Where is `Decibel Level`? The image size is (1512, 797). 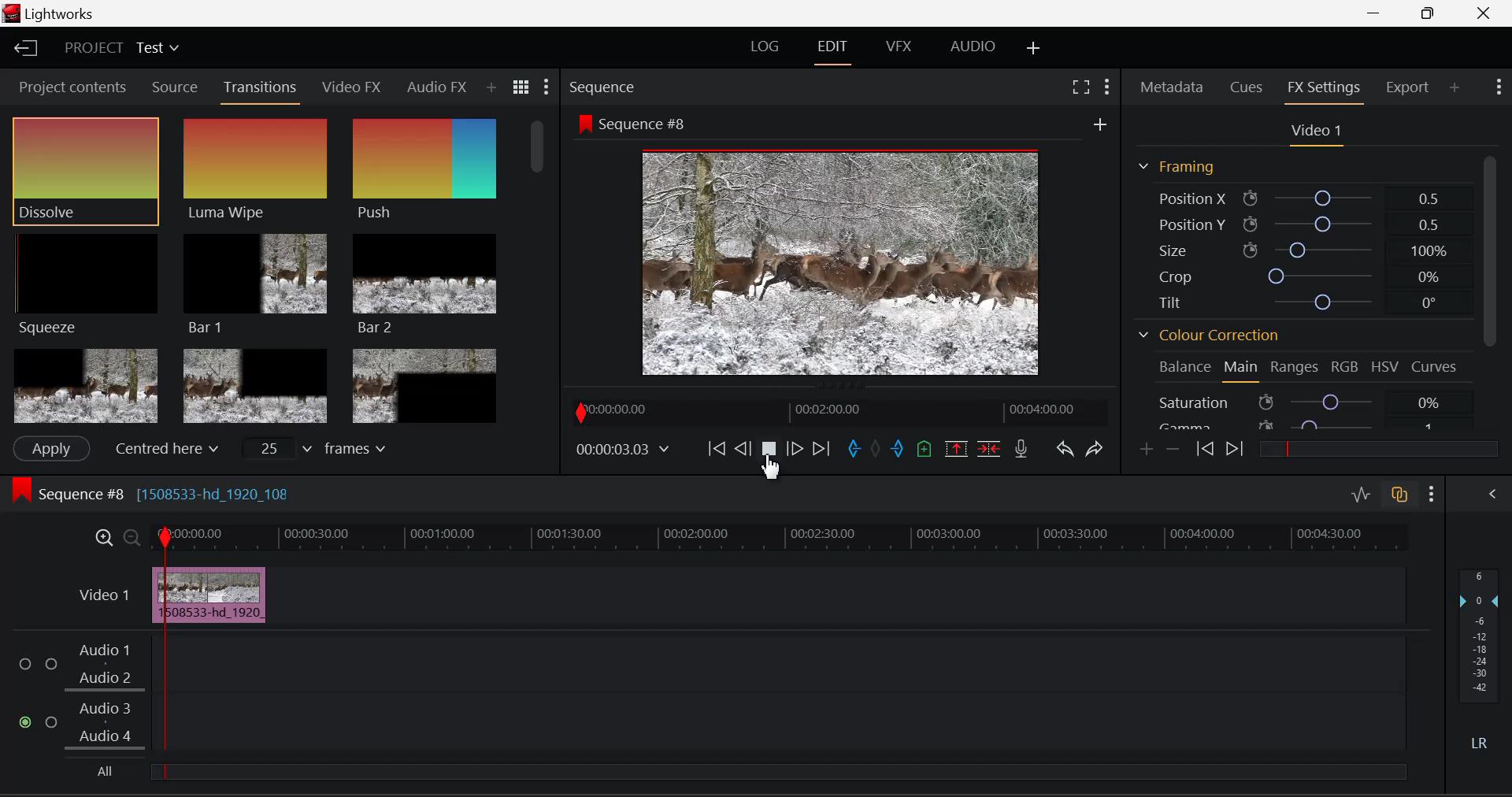
Decibel Level is located at coordinates (1482, 662).